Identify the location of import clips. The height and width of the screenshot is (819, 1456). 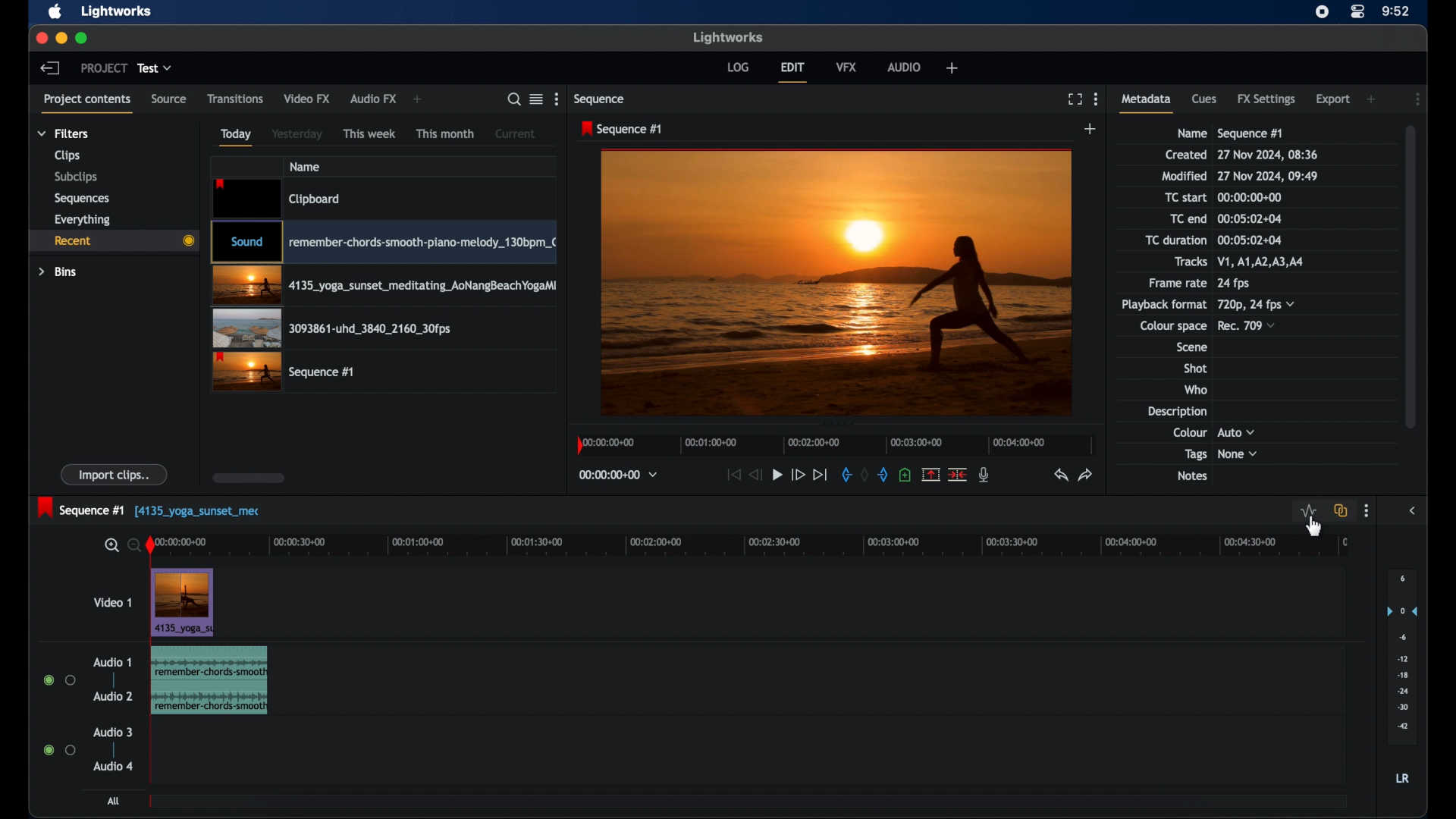
(115, 474).